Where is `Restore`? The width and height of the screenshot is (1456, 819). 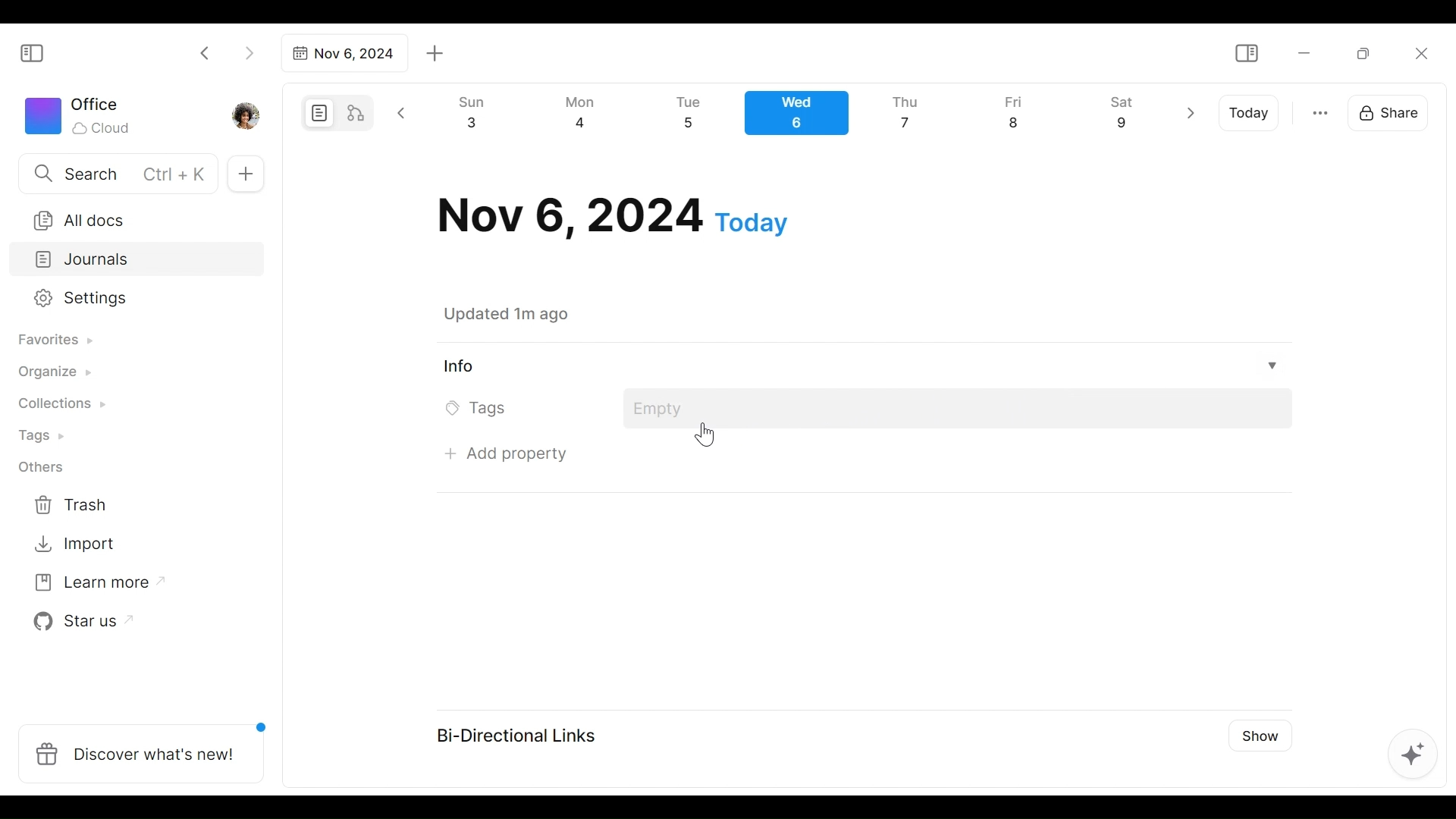 Restore is located at coordinates (1369, 52).